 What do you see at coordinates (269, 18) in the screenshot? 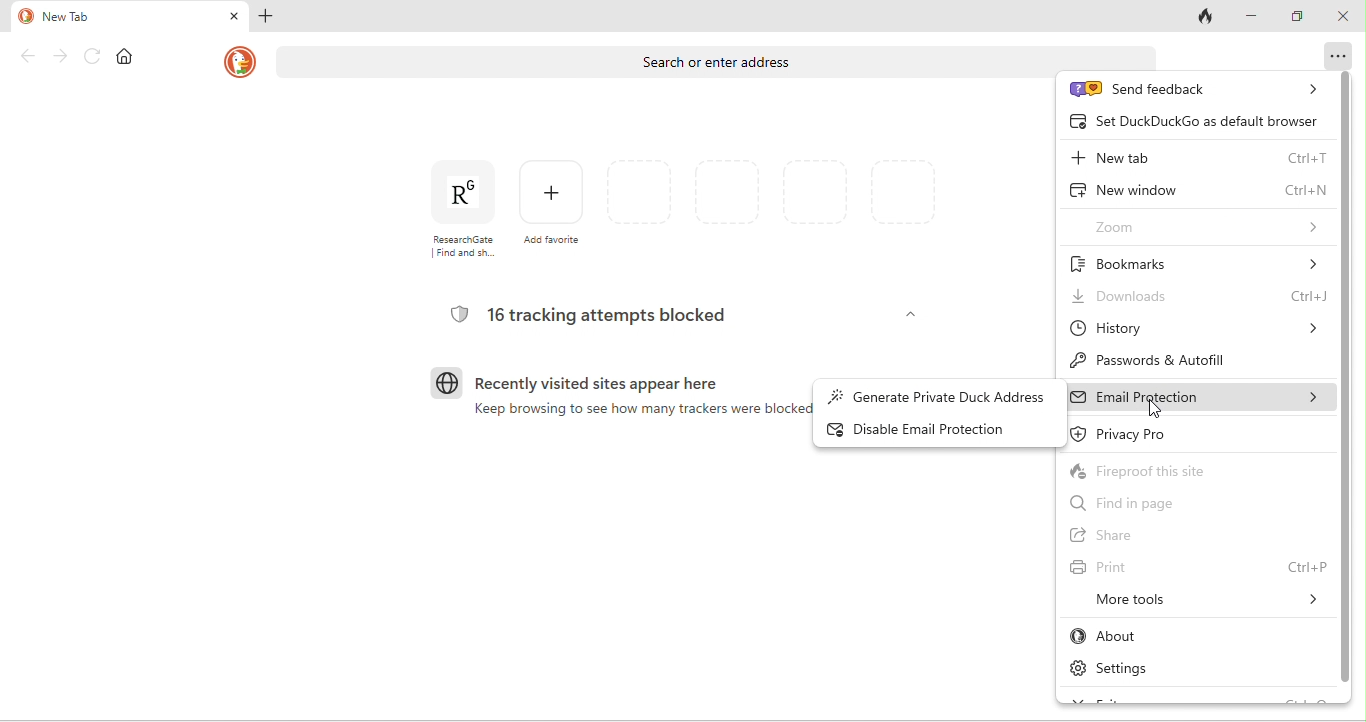
I see `add tab` at bounding box center [269, 18].